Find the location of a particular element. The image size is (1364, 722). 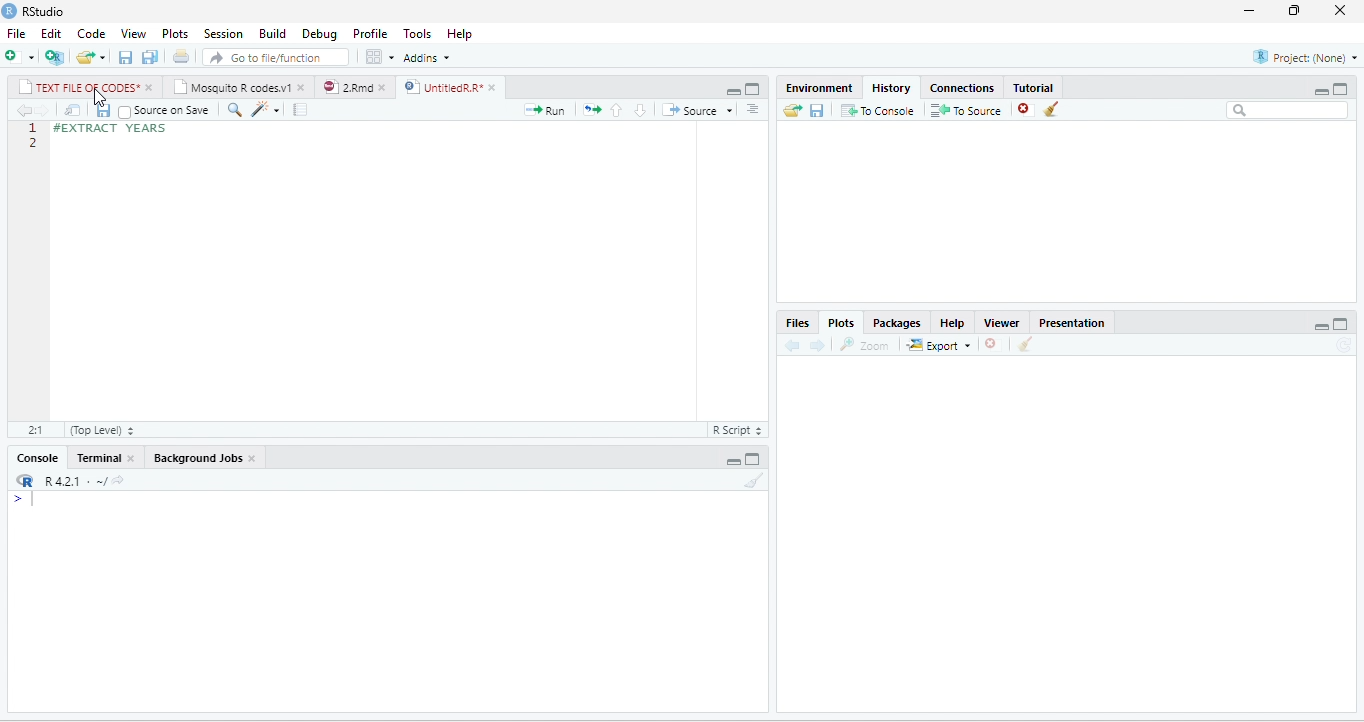

UntitledR.R is located at coordinates (442, 86).